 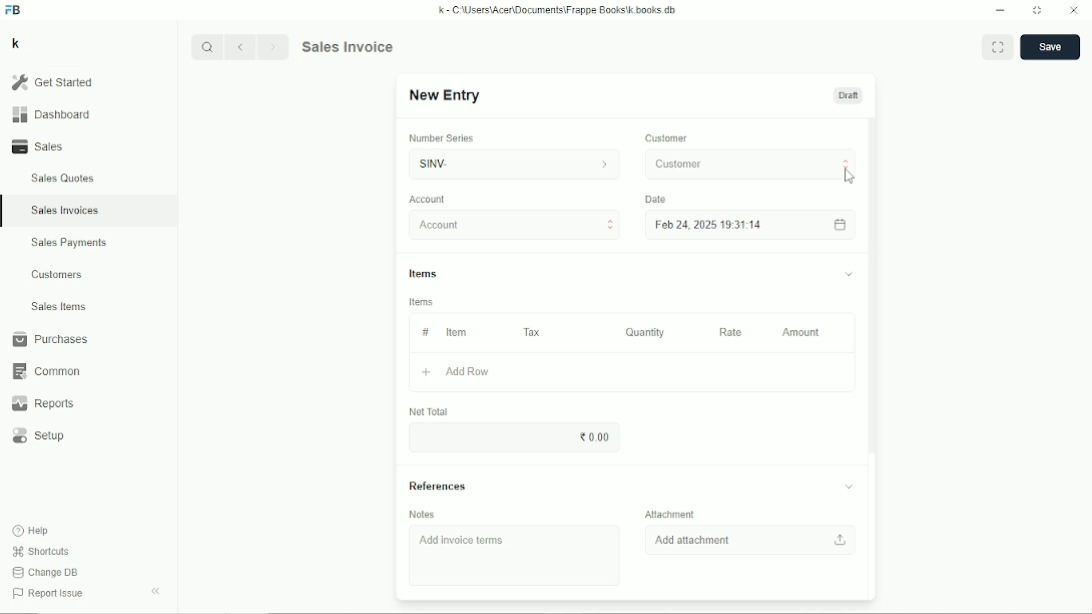 I want to click on Items, so click(x=422, y=302).